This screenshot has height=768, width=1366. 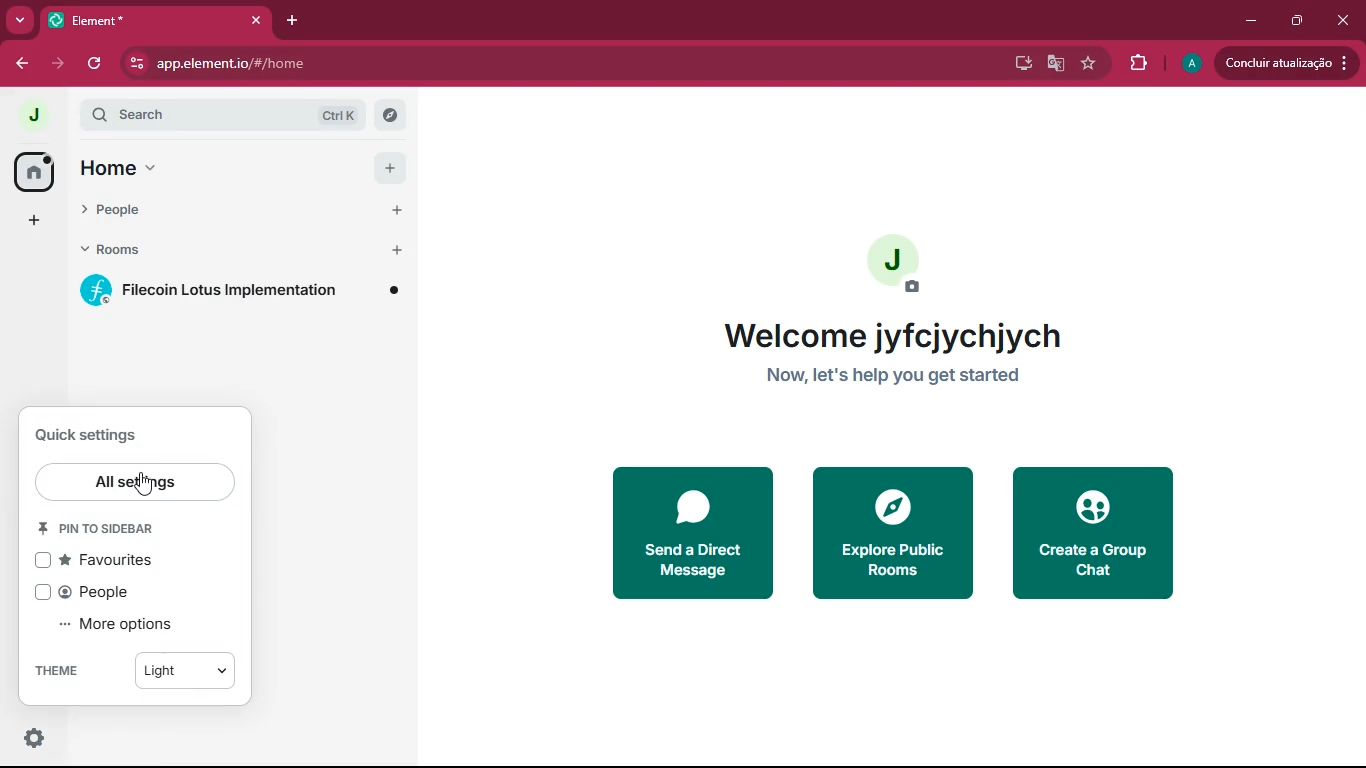 What do you see at coordinates (398, 250) in the screenshot?
I see `add room` at bounding box center [398, 250].